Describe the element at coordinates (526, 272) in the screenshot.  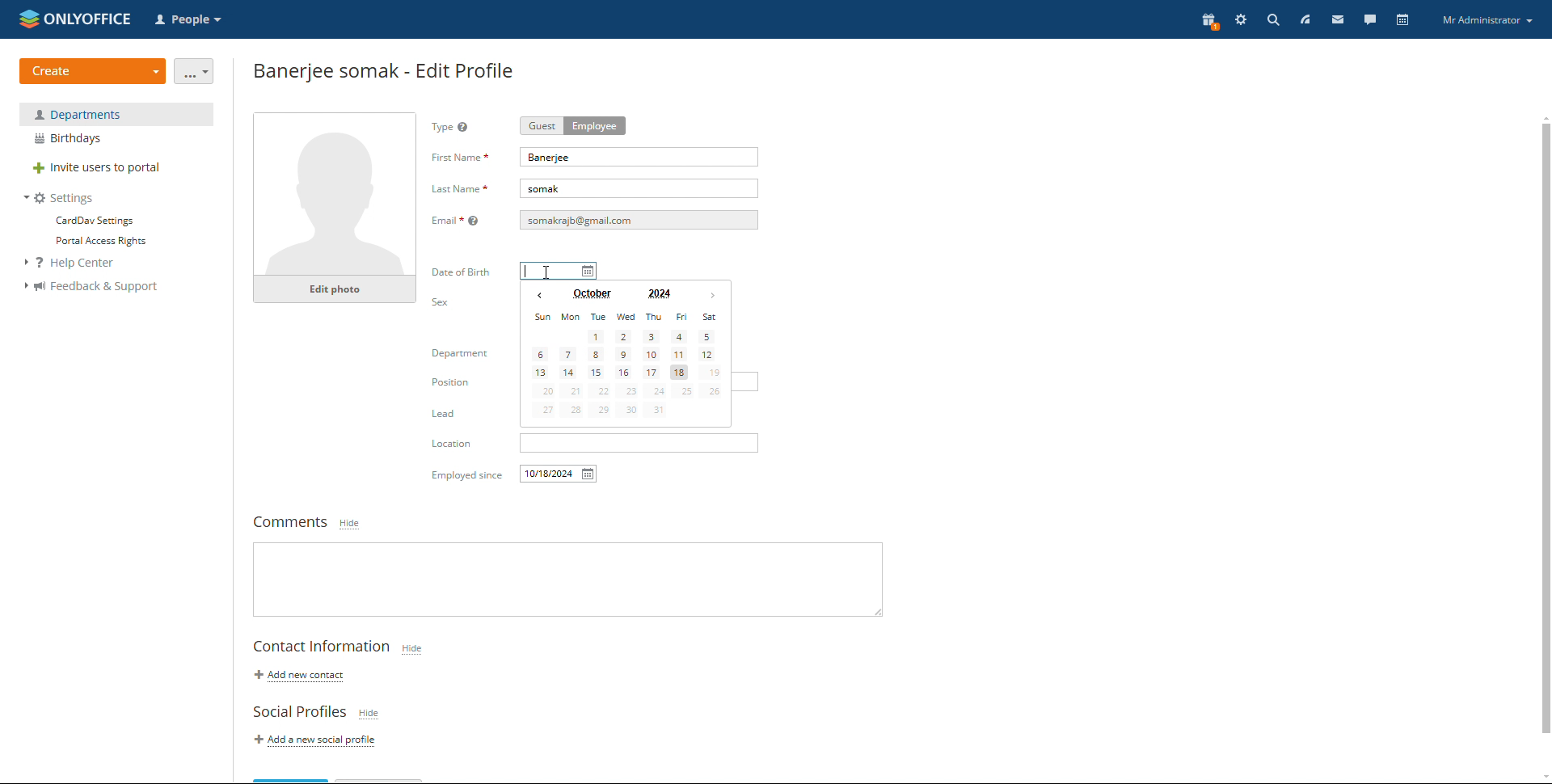
I see `typing started` at that location.